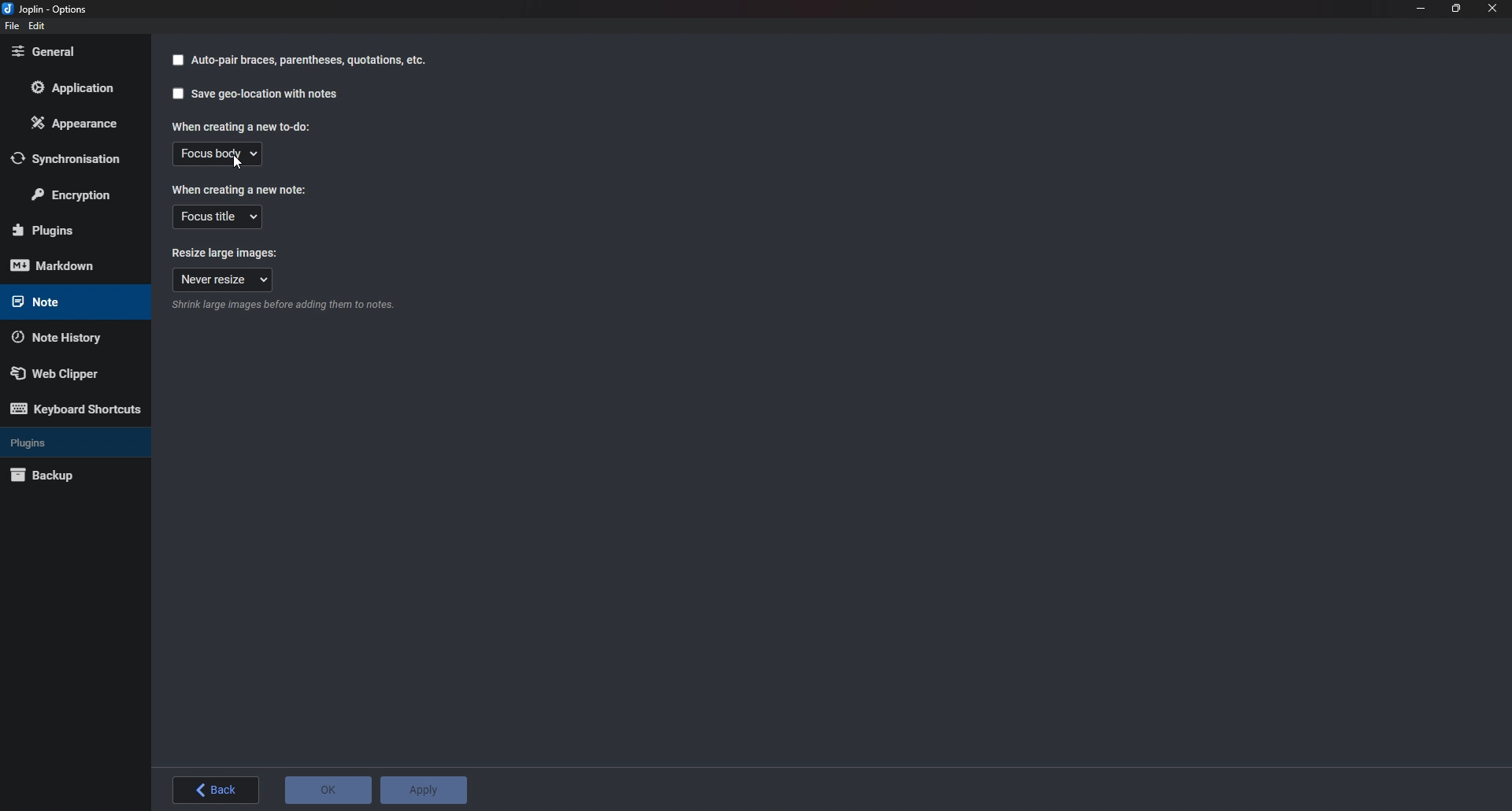  I want to click on Plugins, so click(71, 230).